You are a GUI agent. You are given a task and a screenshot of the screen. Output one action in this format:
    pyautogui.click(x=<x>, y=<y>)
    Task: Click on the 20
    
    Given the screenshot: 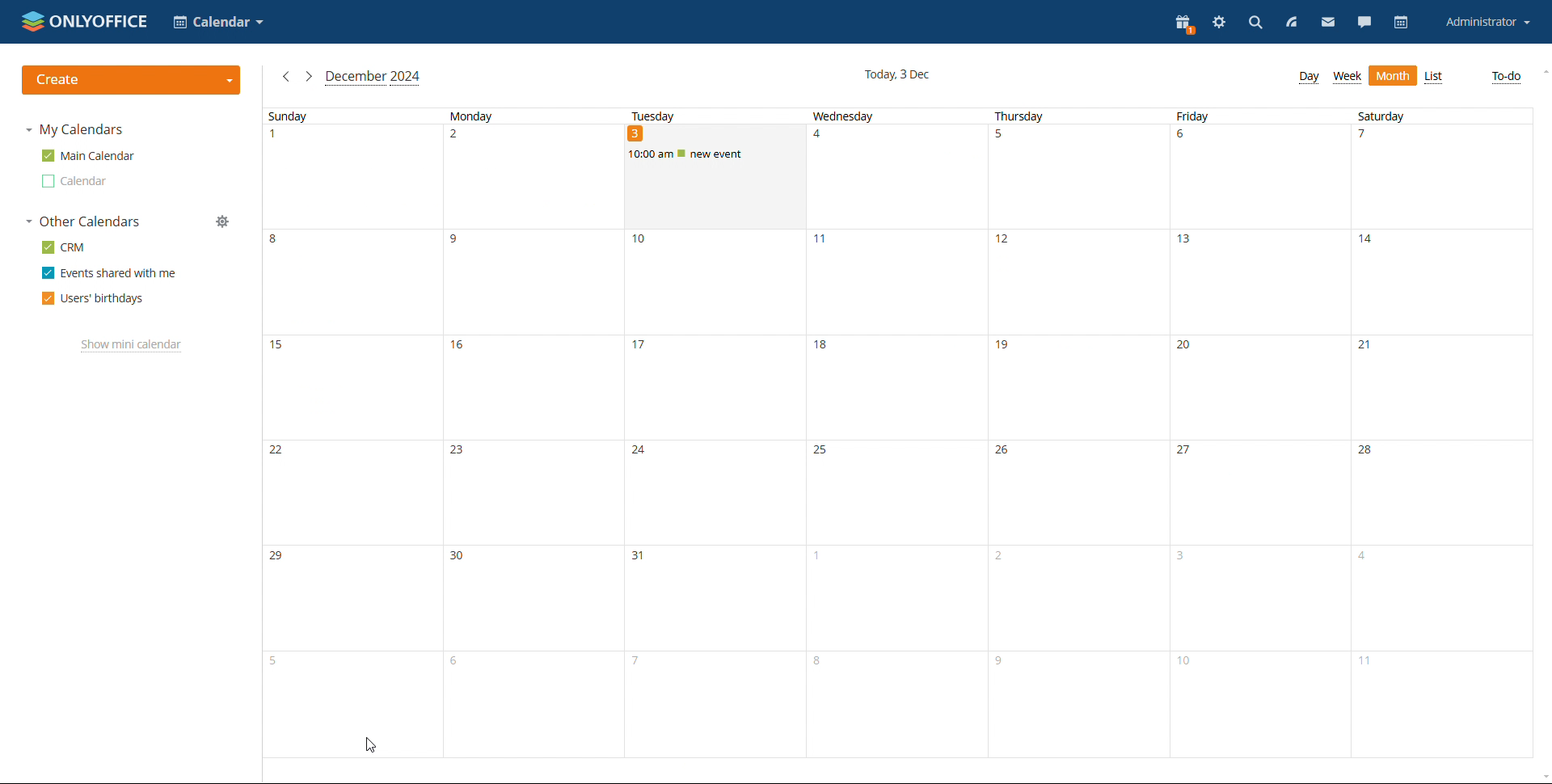 What is the action you would take?
    pyautogui.click(x=1261, y=387)
    